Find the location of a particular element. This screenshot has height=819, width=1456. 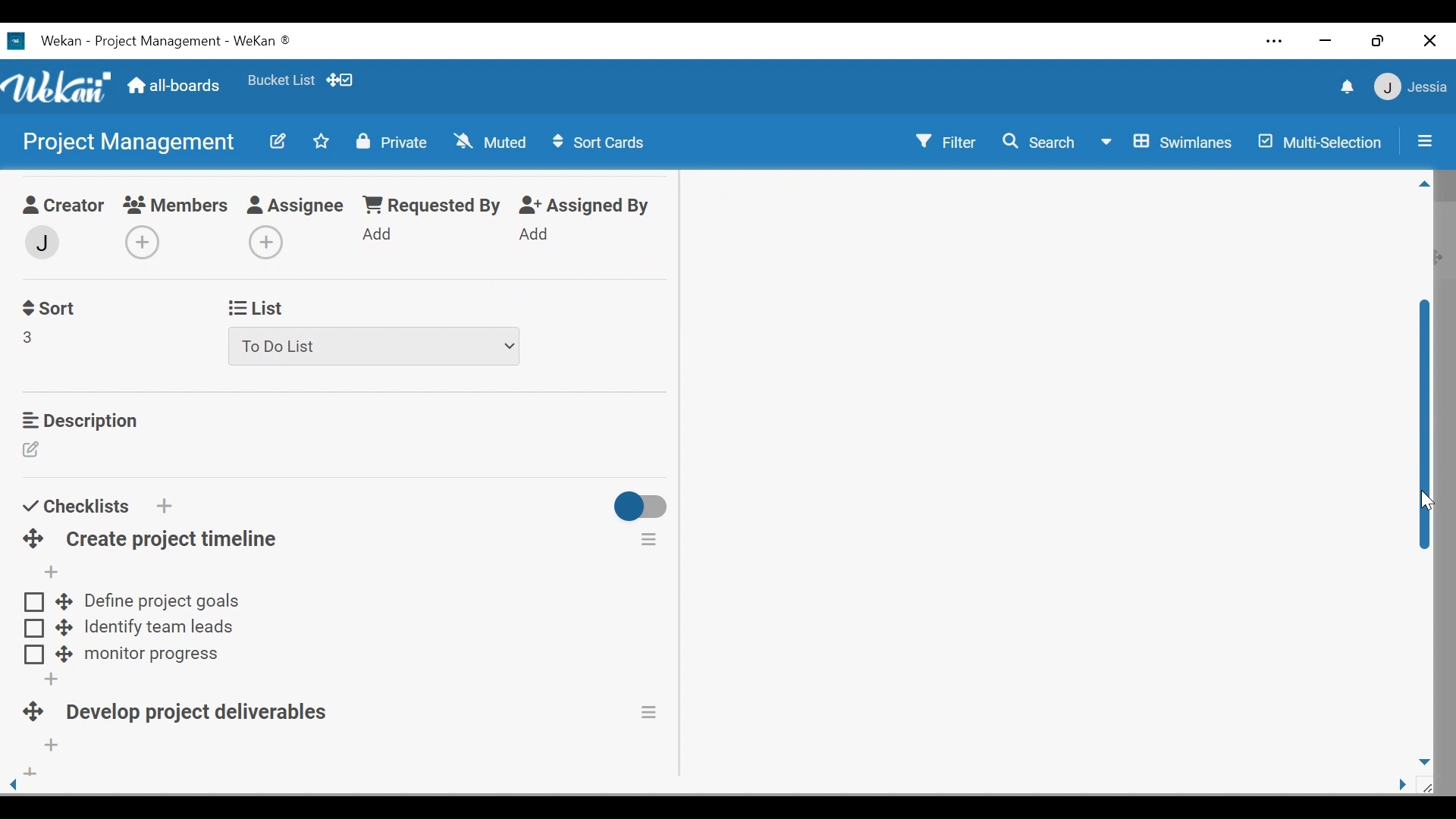

checklist item is located at coordinates (152, 656).